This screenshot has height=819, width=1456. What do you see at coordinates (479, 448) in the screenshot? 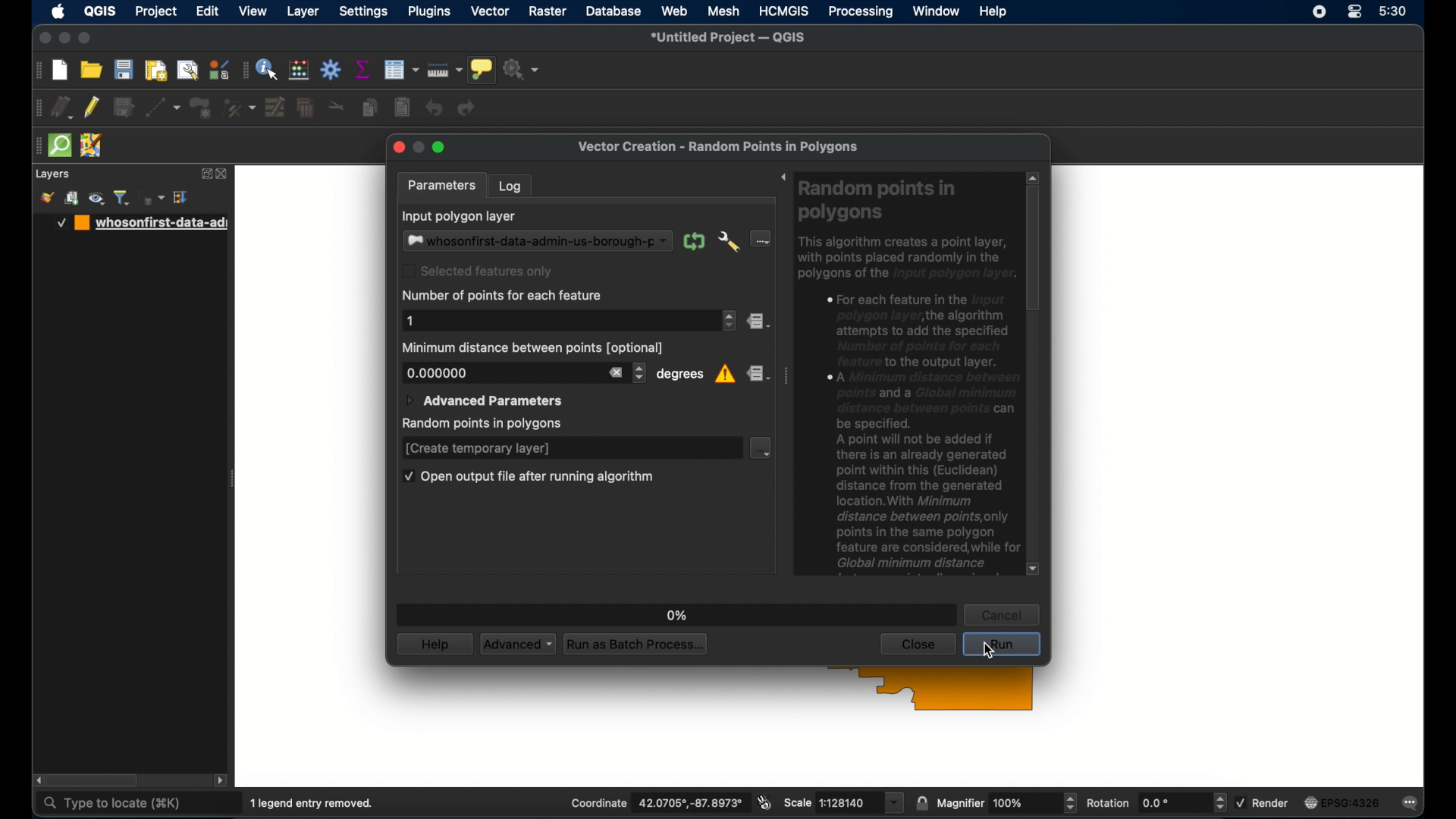
I see `create temporary layer` at bounding box center [479, 448].